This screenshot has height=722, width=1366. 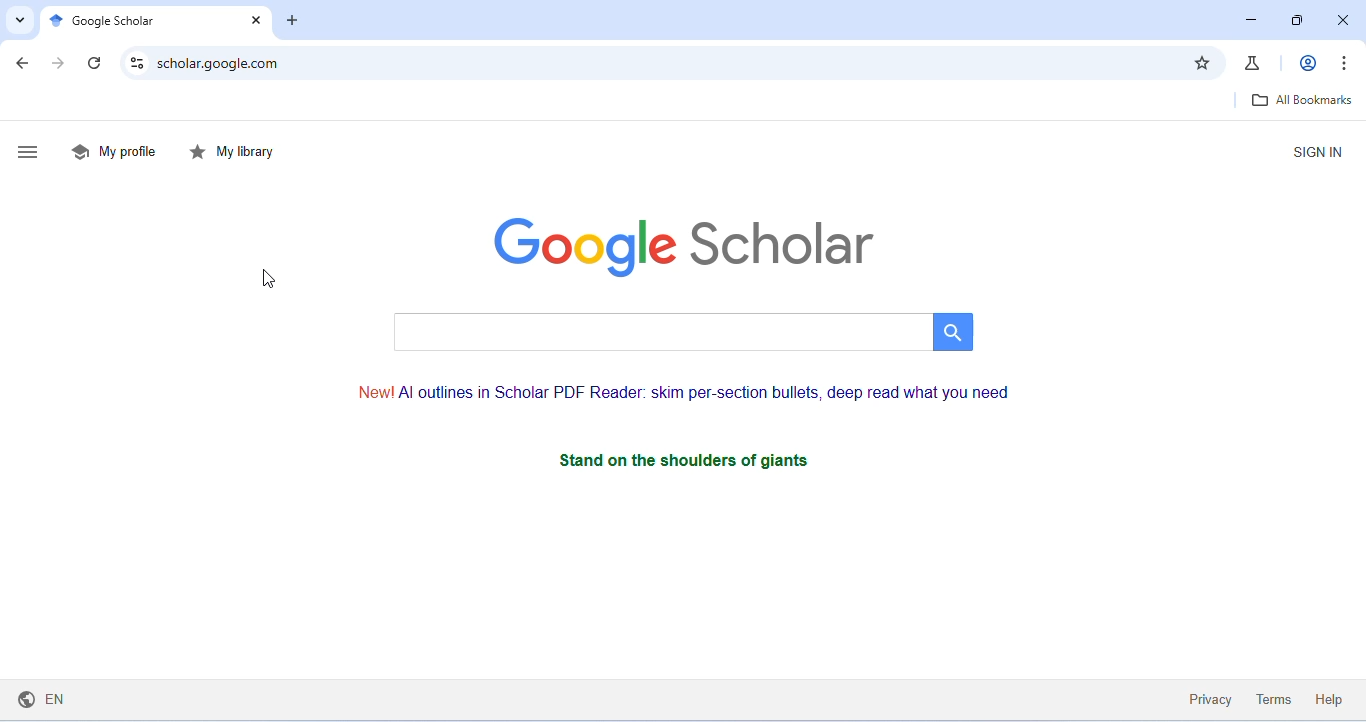 I want to click on go back, so click(x=24, y=65).